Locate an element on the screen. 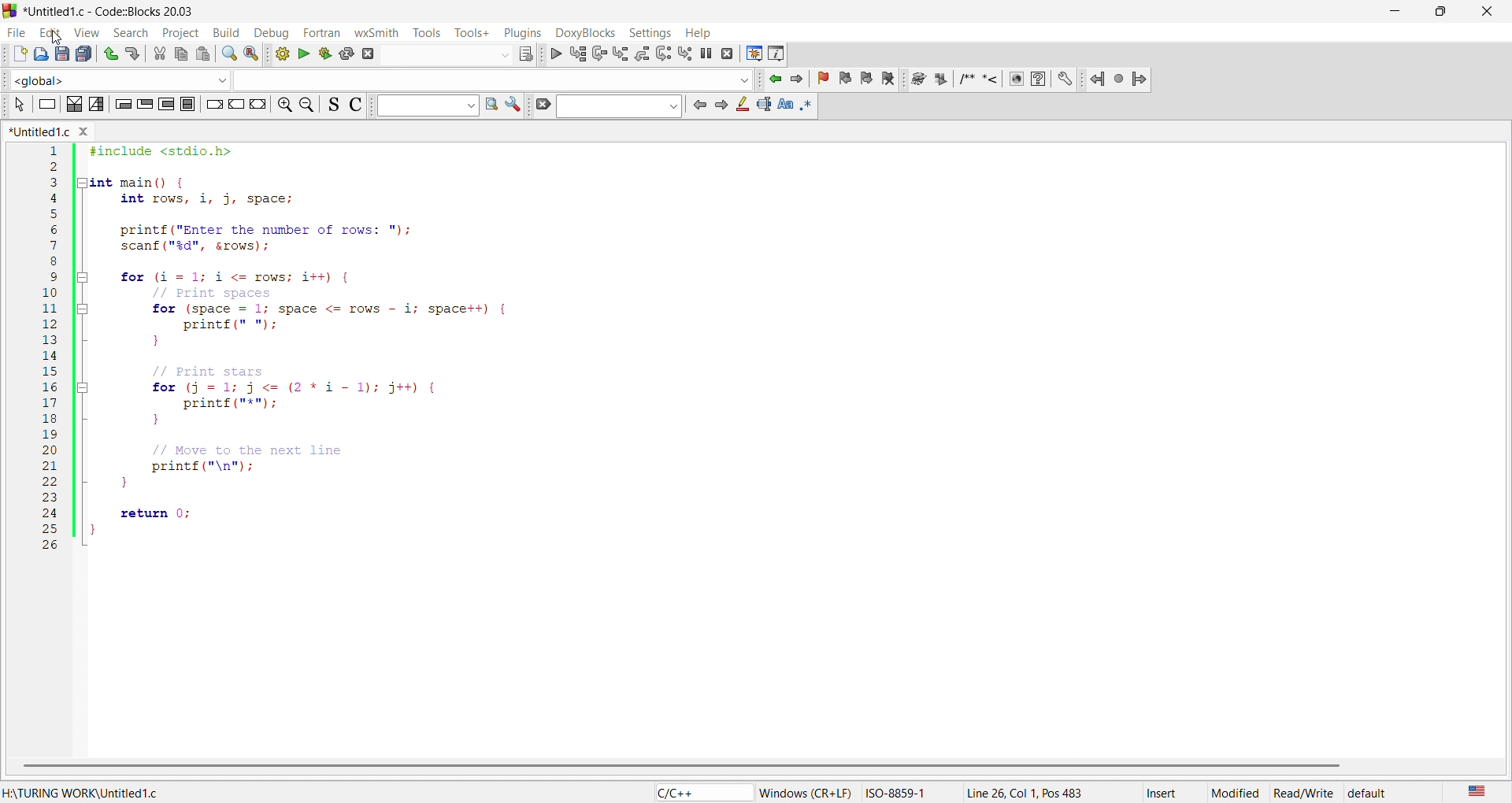 This screenshot has height=803, width=1512. maximize/resize is located at coordinates (1446, 9).